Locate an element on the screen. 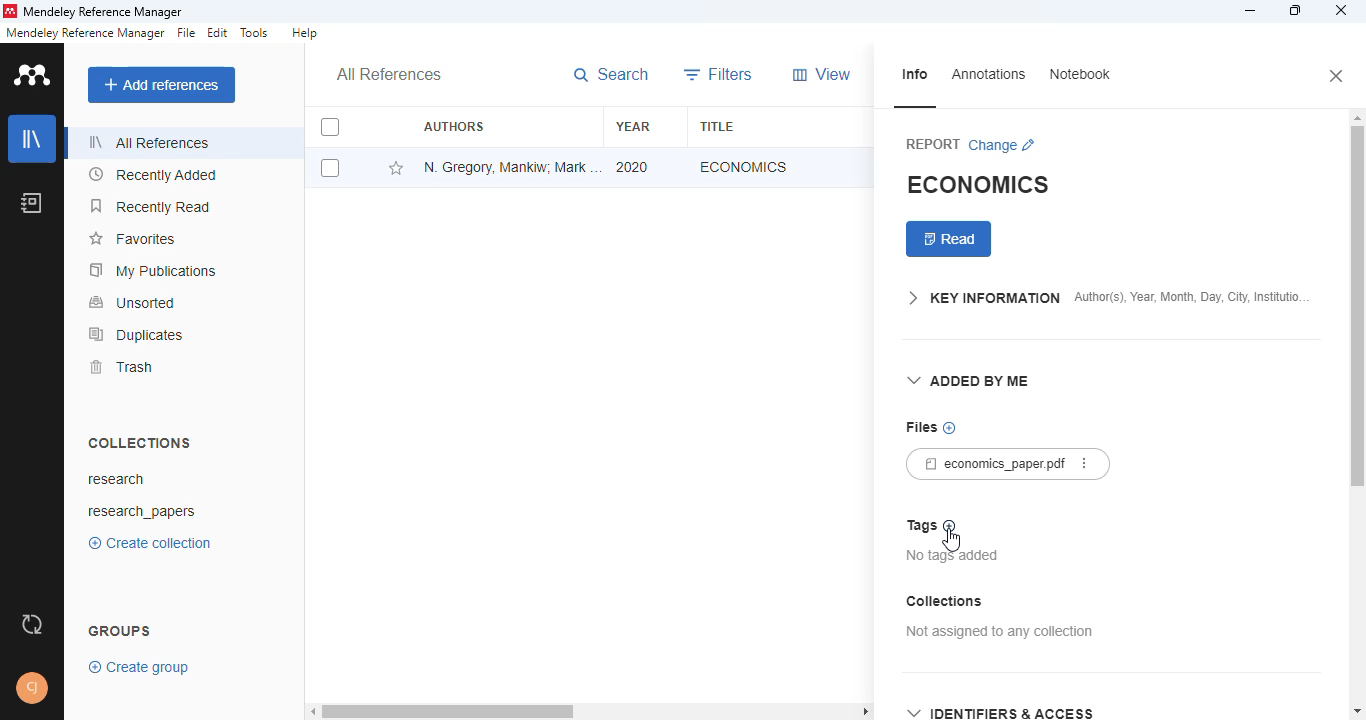  research_papers is located at coordinates (141, 512).